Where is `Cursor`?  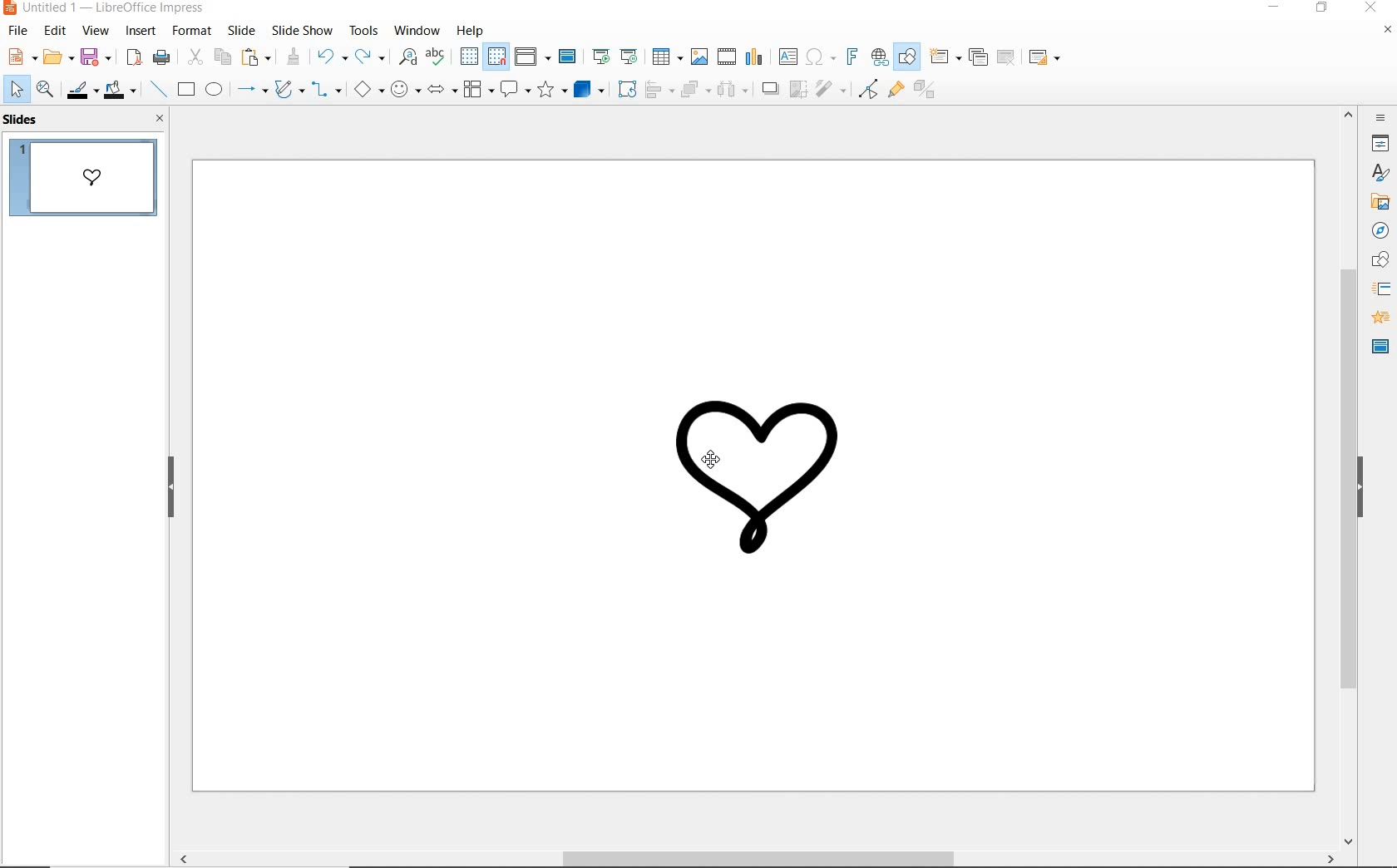 Cursor is located at coordinates (715, 460).